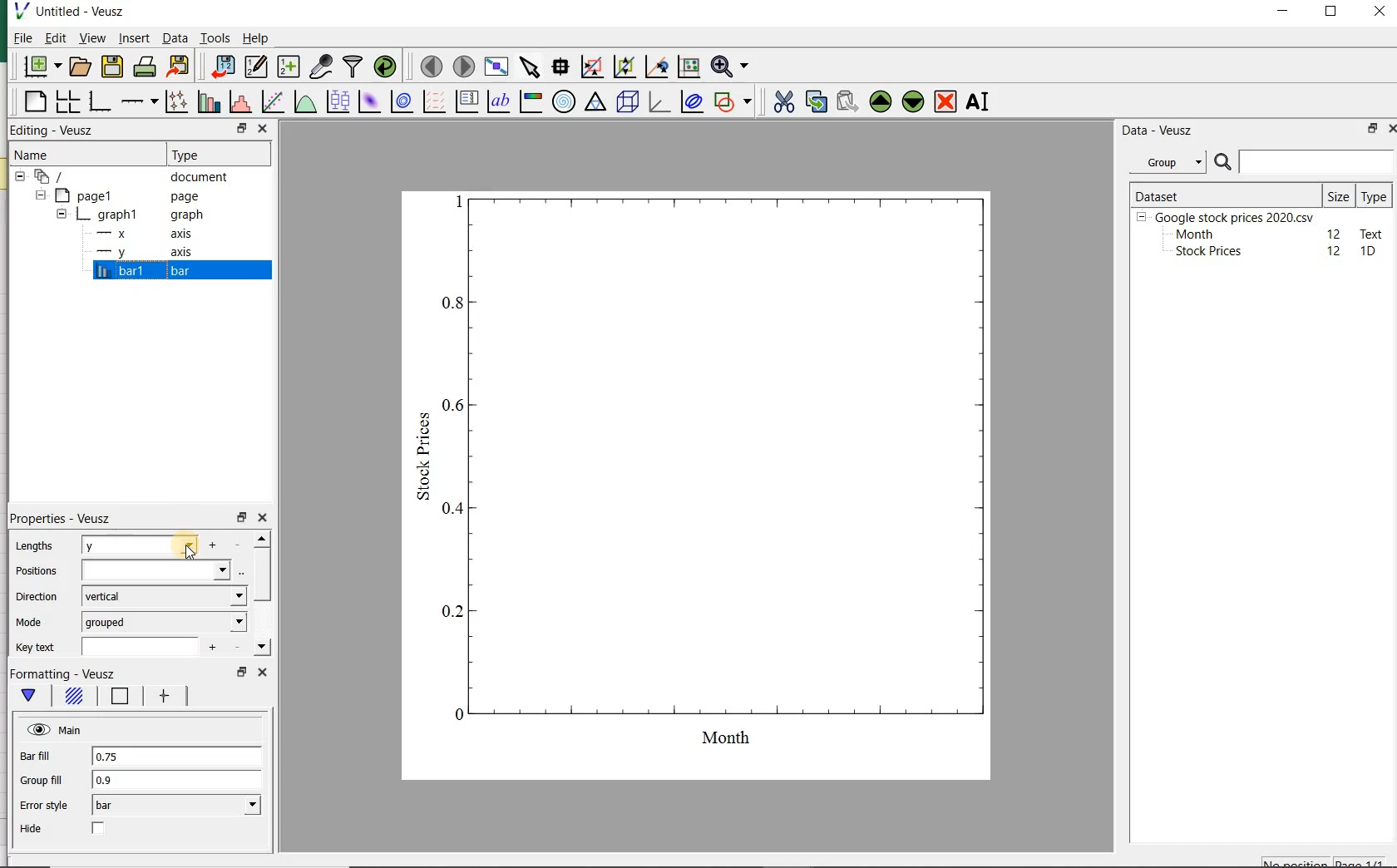 This screenshot has height=868, width=1397. Describe the element at coordinates (179, 67) in the screenshot. I see `export to graphics format` at that location.